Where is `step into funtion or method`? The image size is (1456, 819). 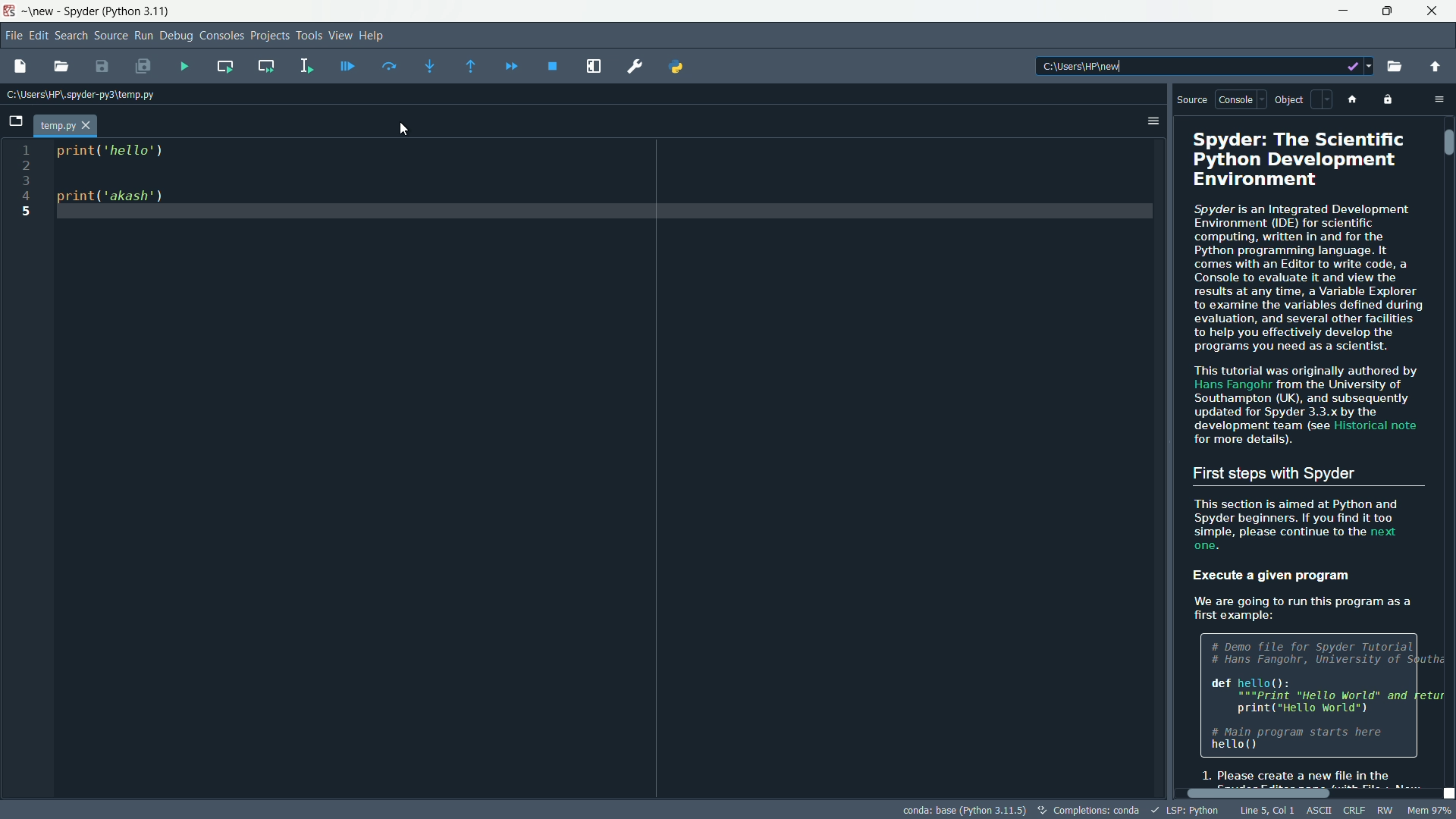
step into funtion or method is located at coordinates (431, 65).